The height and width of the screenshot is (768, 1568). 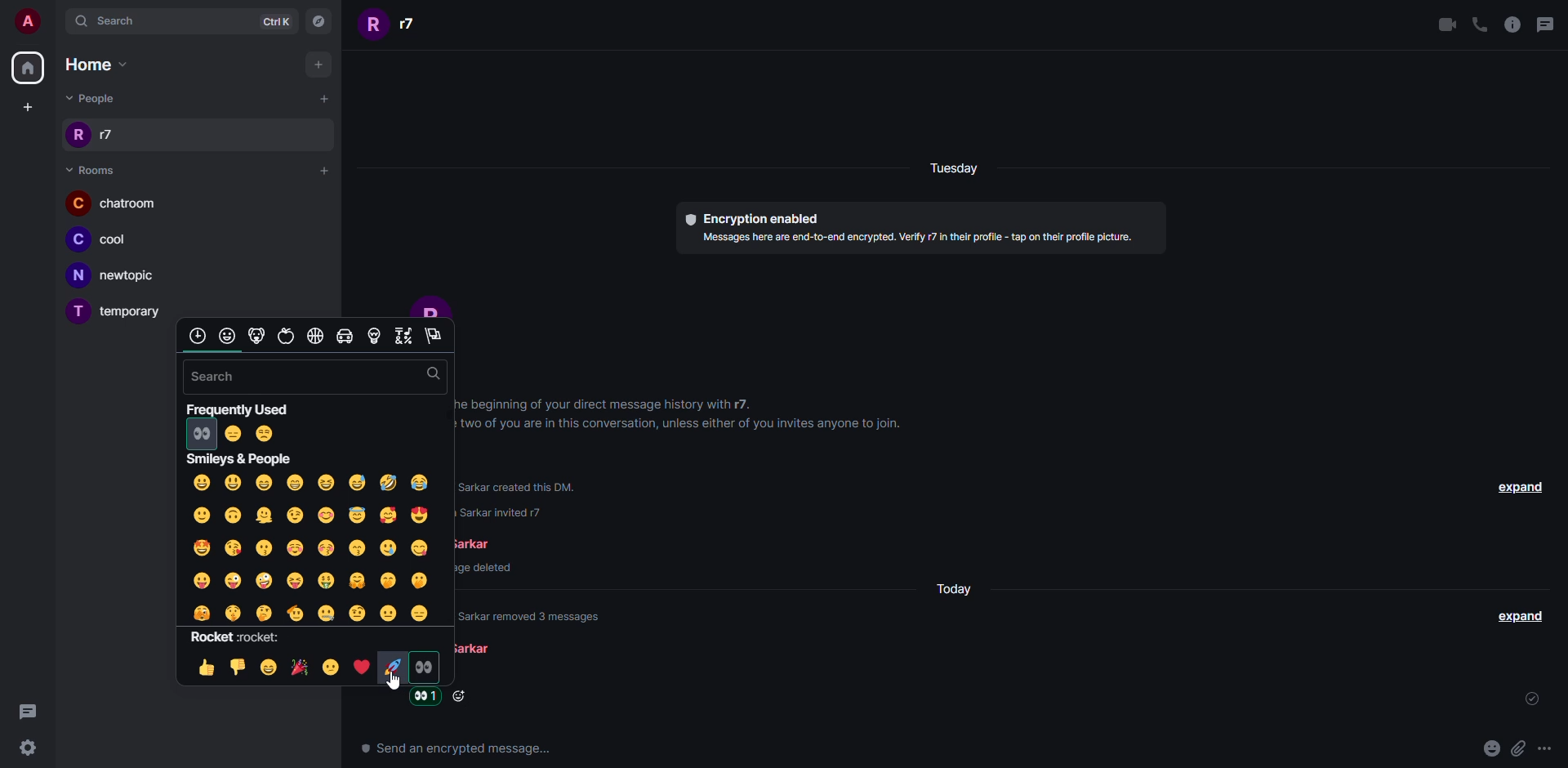 What do you see at coordinates (332, 666) in the screenshot?
I see `emoji` at bounding box center [332, 666].